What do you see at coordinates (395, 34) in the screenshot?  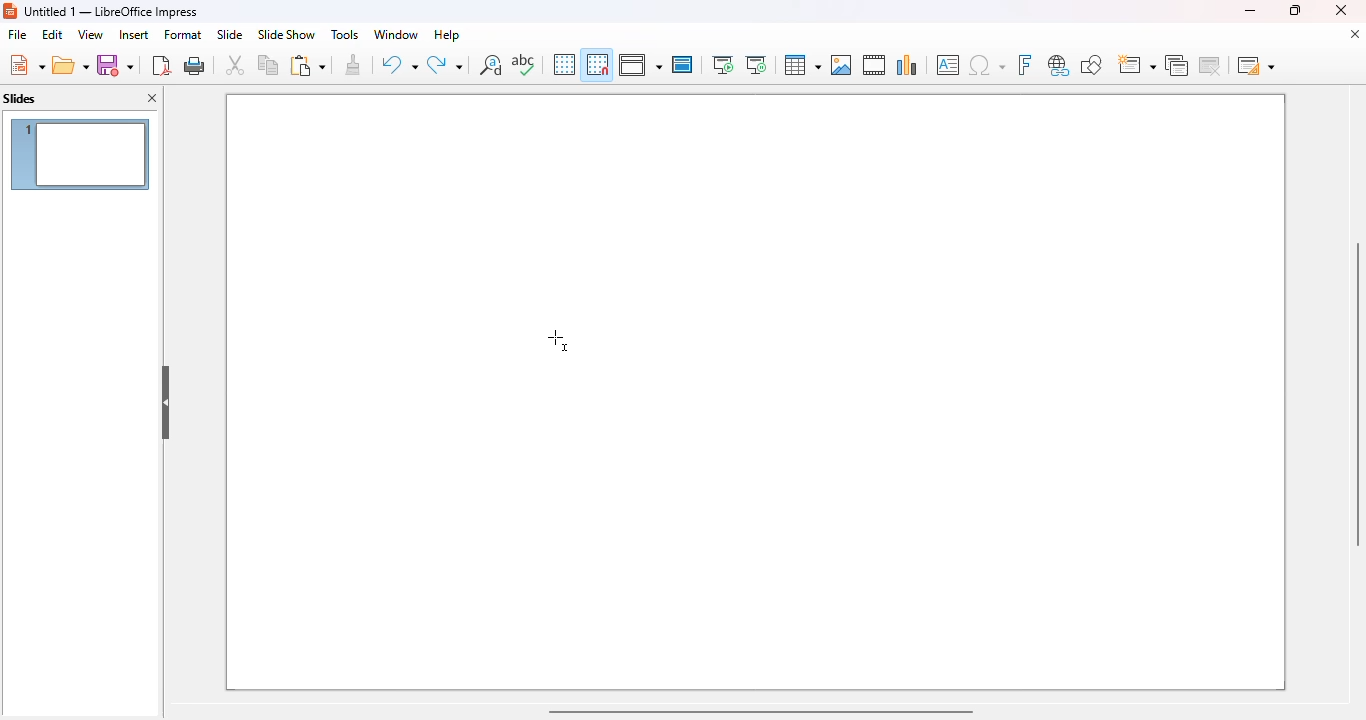 I see `window` at bounding box center [395, 34].